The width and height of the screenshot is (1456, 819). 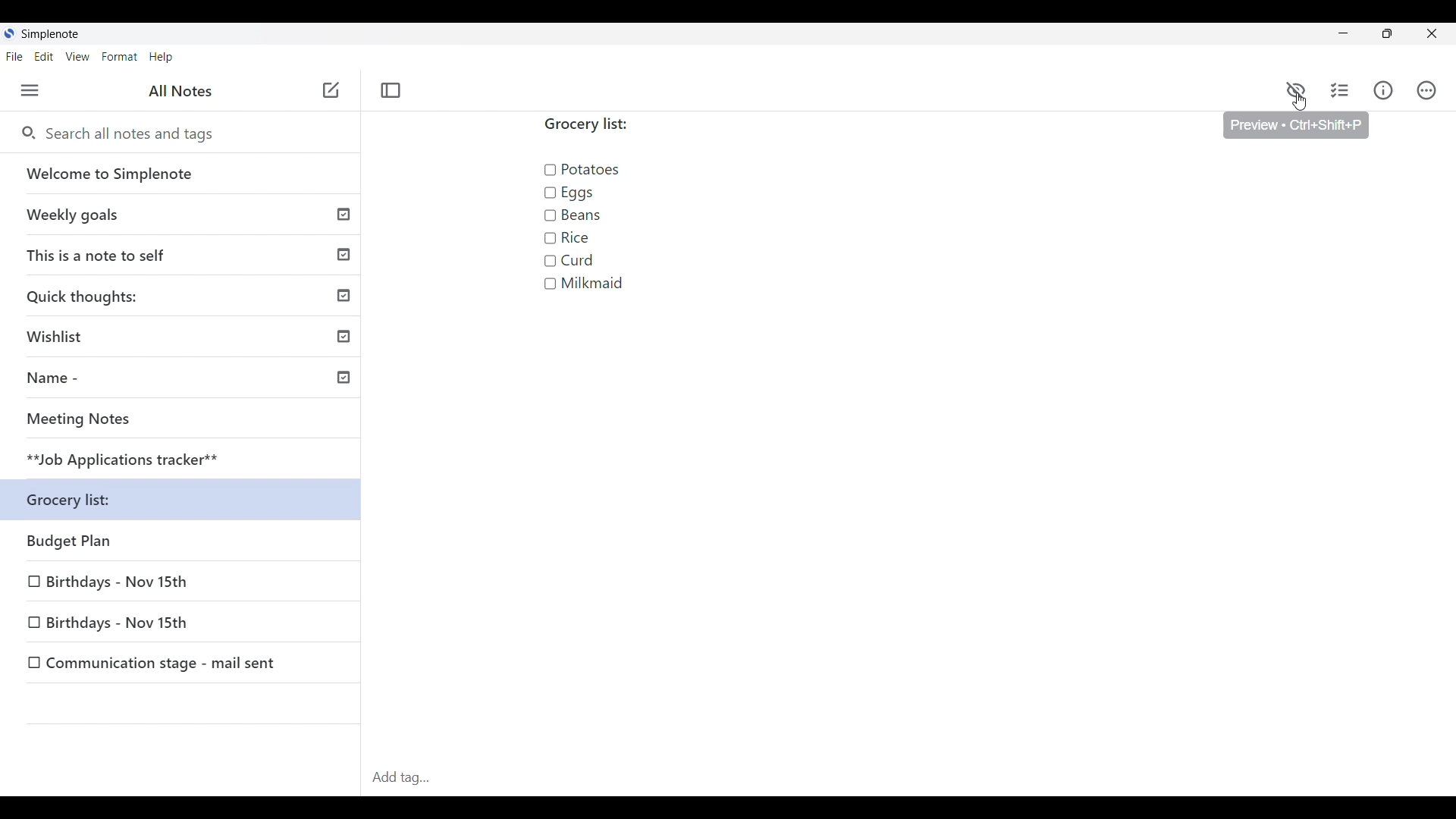 What do you see at coordinates (187, 216) in the screenshot?
I see `Weekly goals` at bounding box center [187, 216].